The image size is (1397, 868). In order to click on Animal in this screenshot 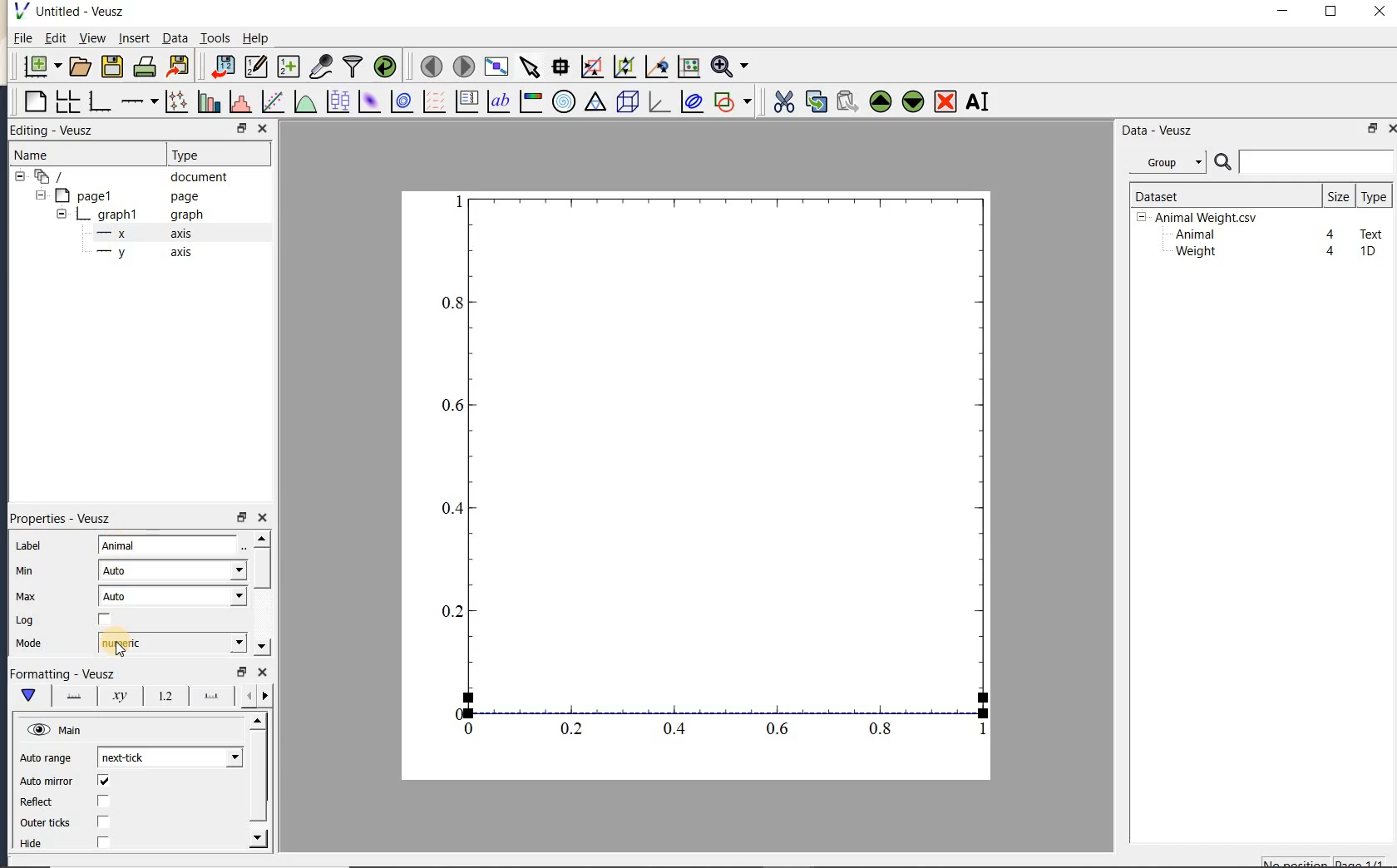, I will do `click(170, 546)`.